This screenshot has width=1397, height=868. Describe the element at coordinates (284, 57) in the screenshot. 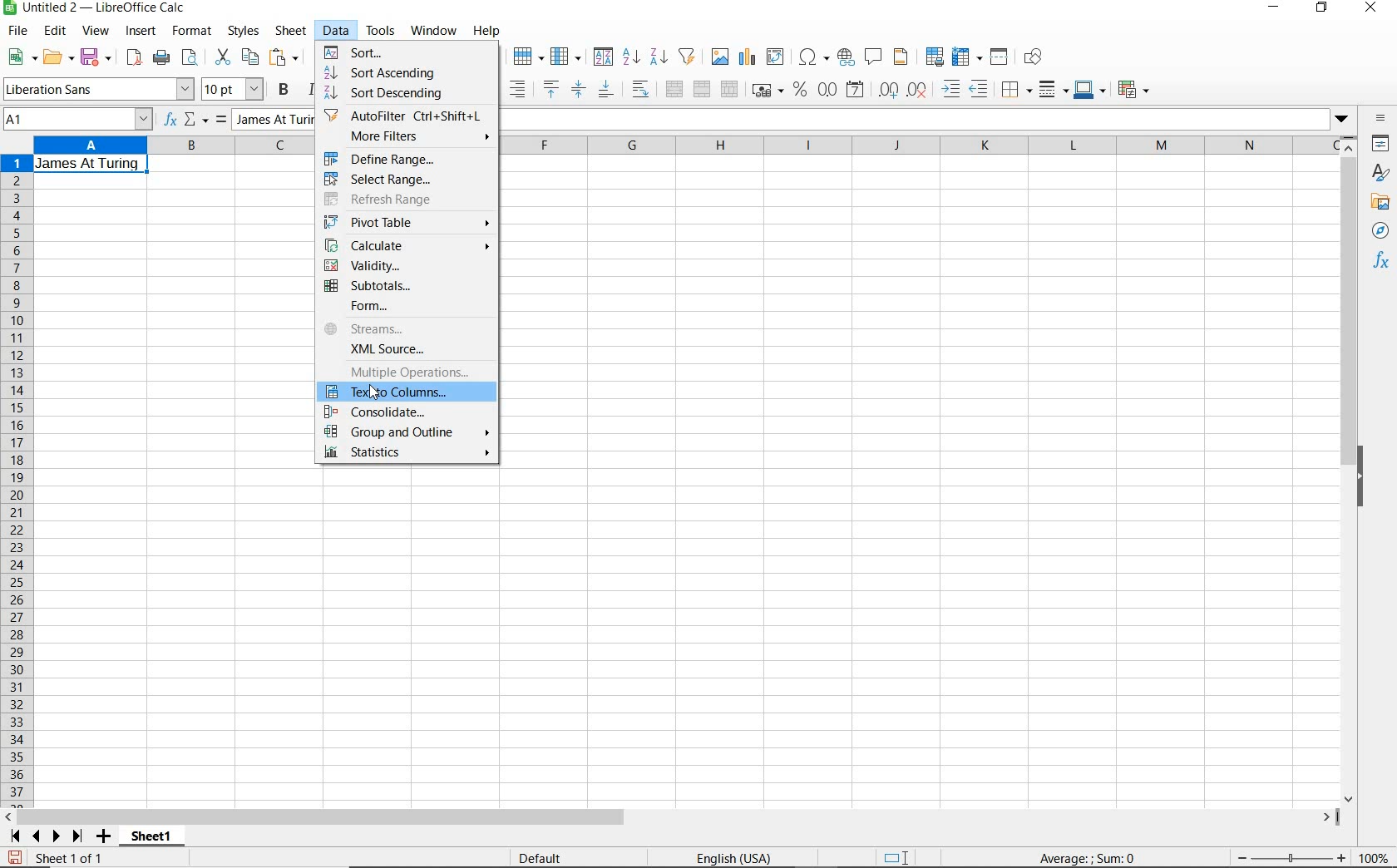

I see `paste` at that location.